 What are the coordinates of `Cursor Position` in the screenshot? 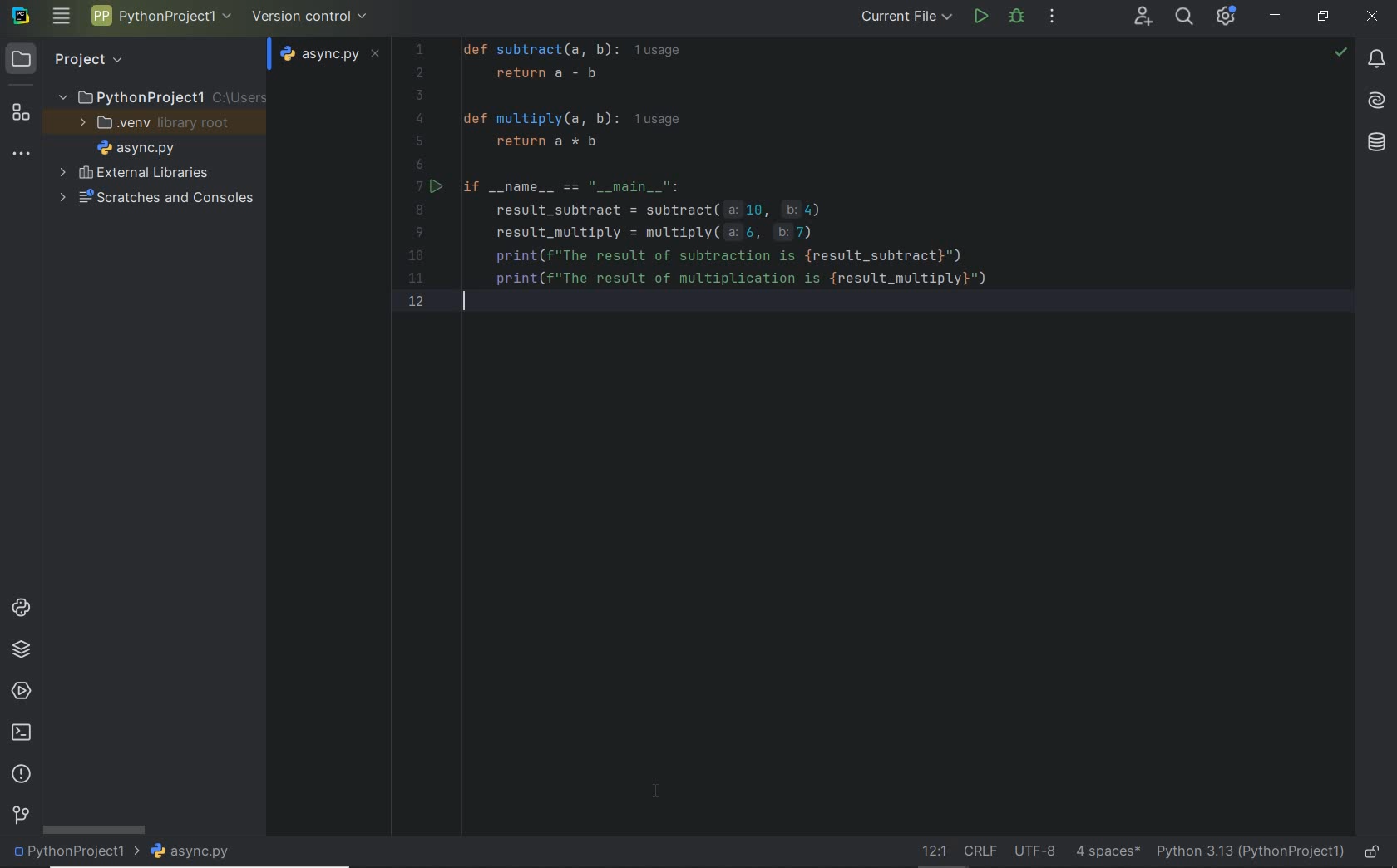 It's located at (658, 791).